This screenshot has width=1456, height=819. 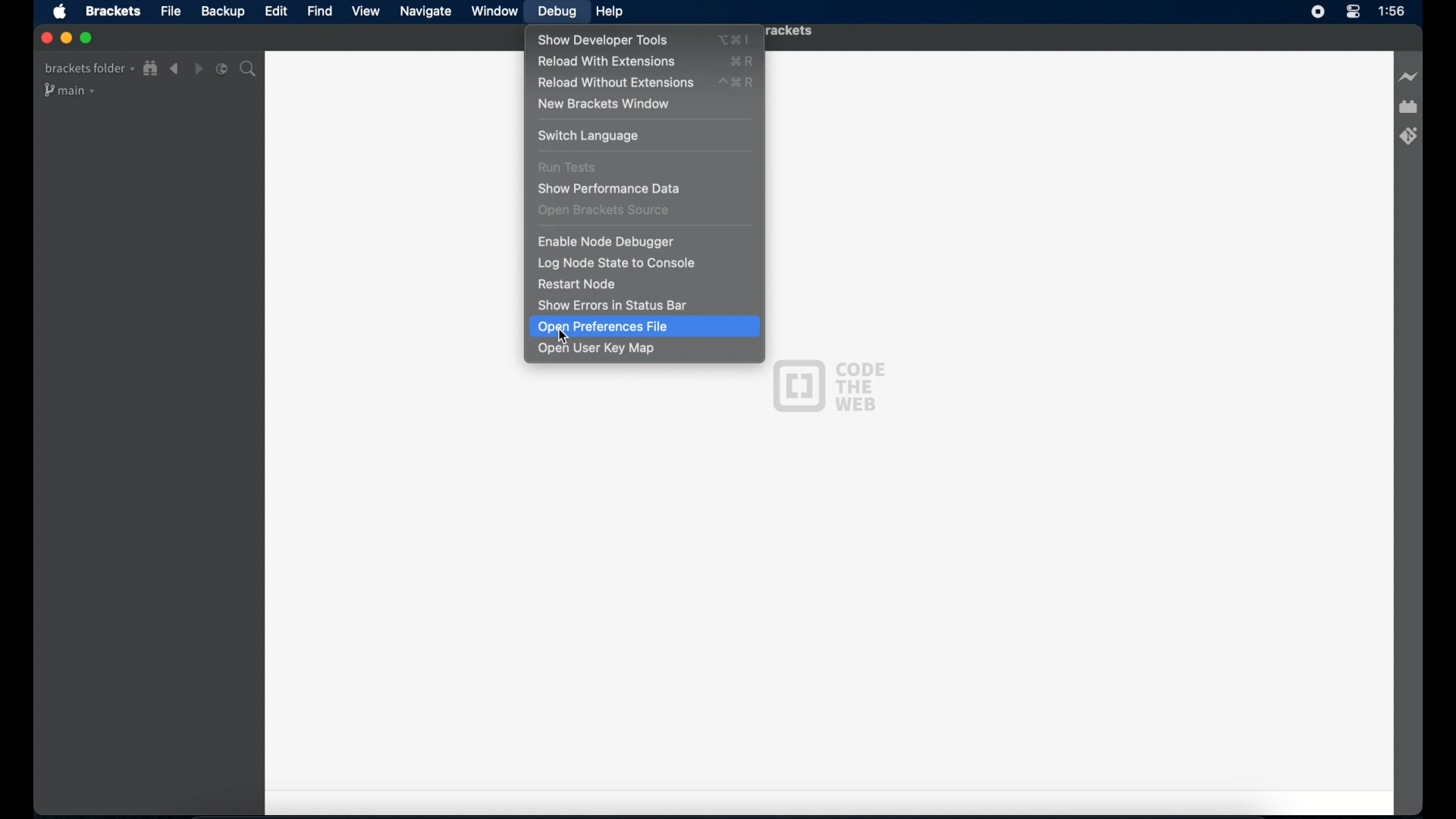 I want to click on extension manager, so click(x=1408, y=106).